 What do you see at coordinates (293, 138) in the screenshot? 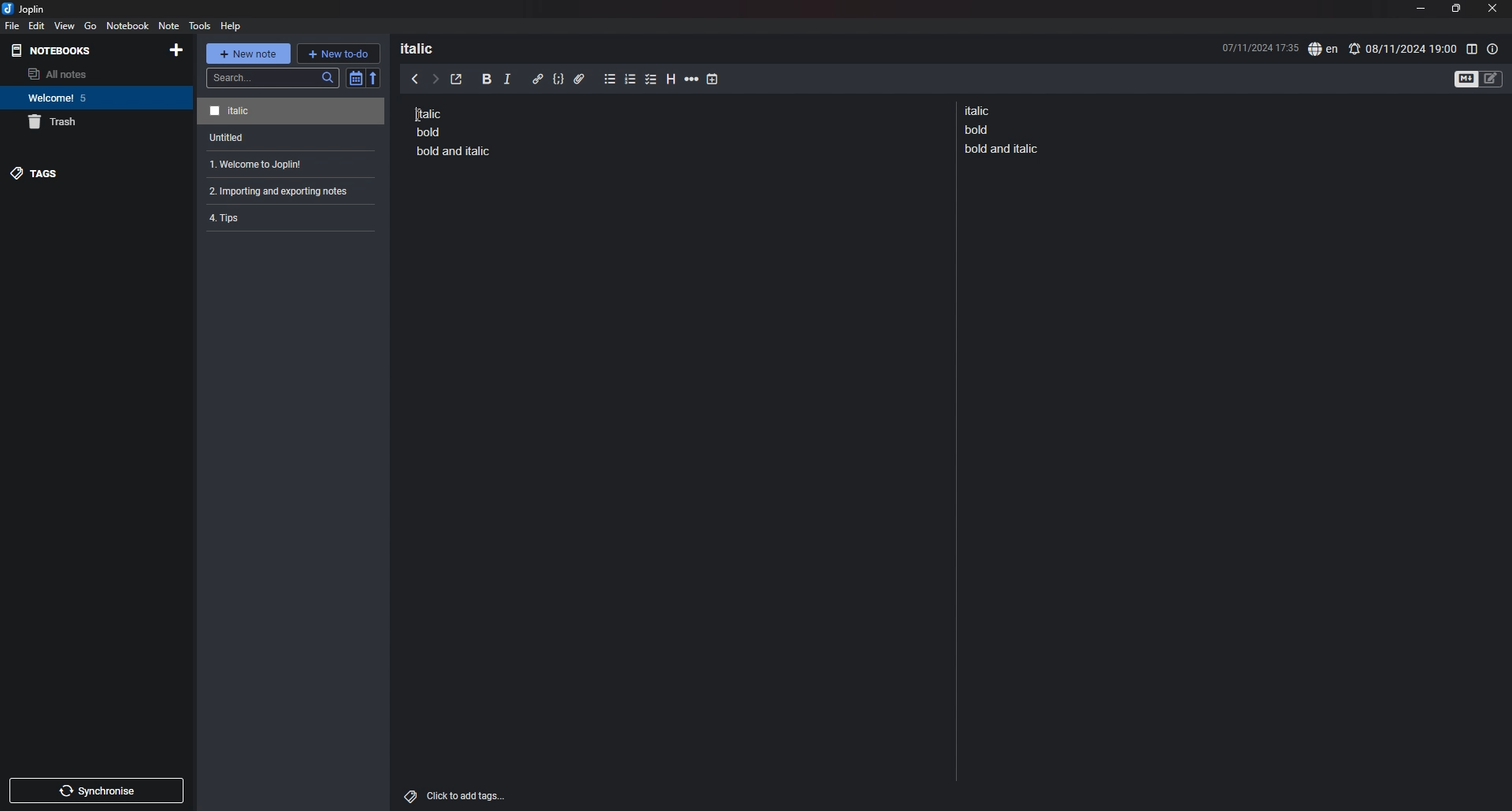
I see `note` at bounding box center [293, 138].